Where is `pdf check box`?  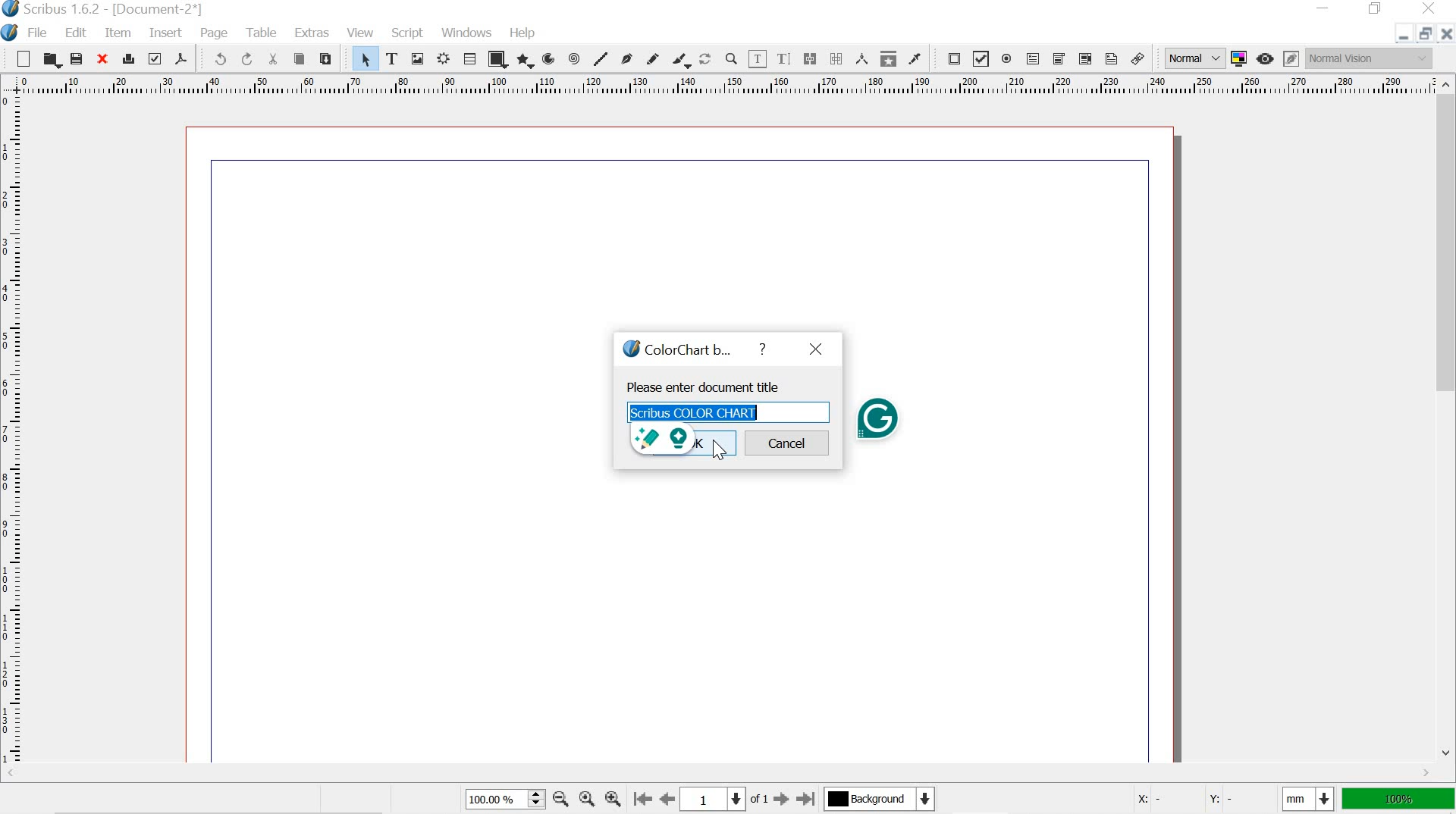
pdf check box is located at coordinates (981, 60).